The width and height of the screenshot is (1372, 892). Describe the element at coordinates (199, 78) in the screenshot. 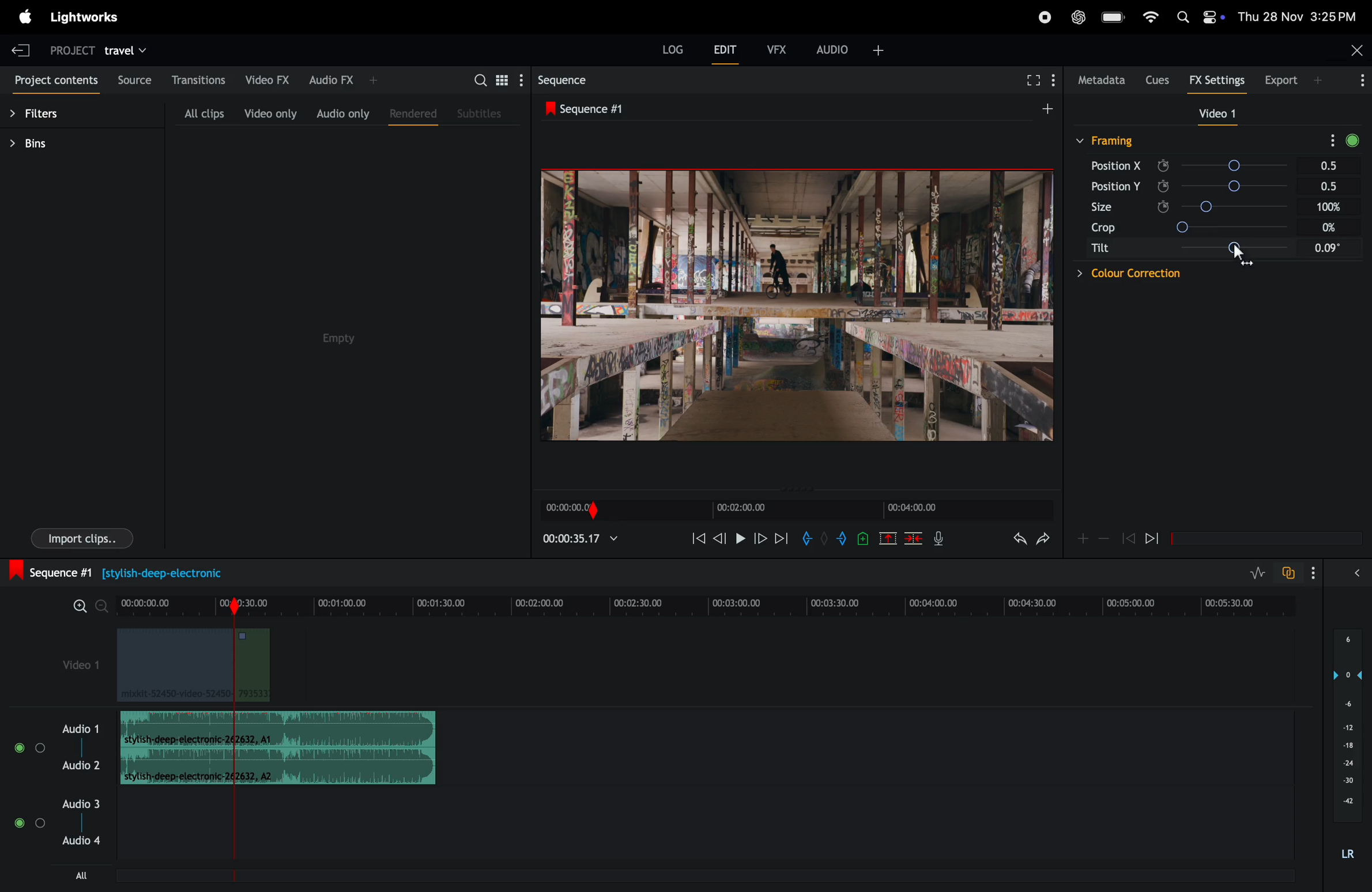

I see `transactions` at that location.